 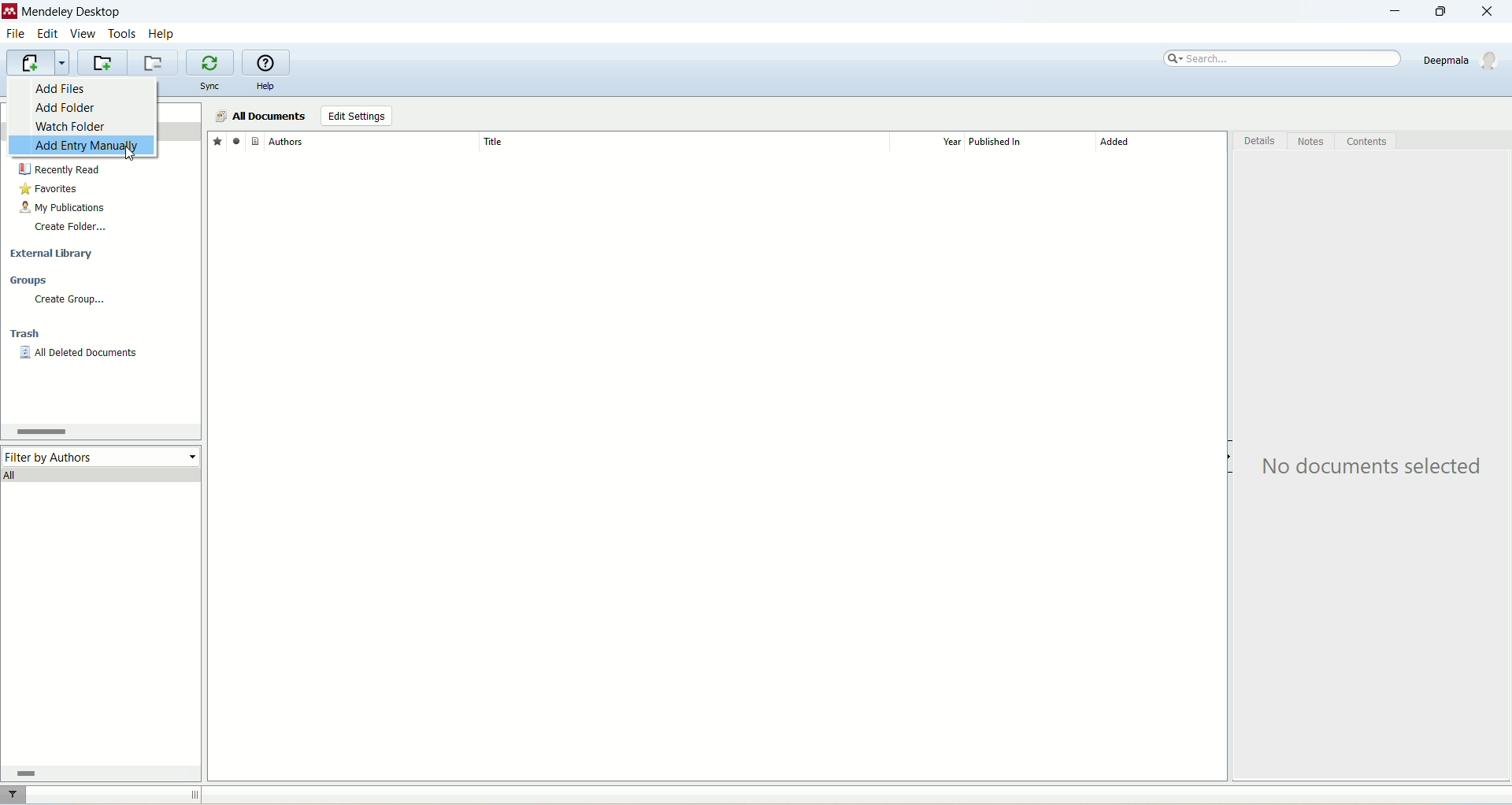 I want to click on all, so click(x=102, y=474).